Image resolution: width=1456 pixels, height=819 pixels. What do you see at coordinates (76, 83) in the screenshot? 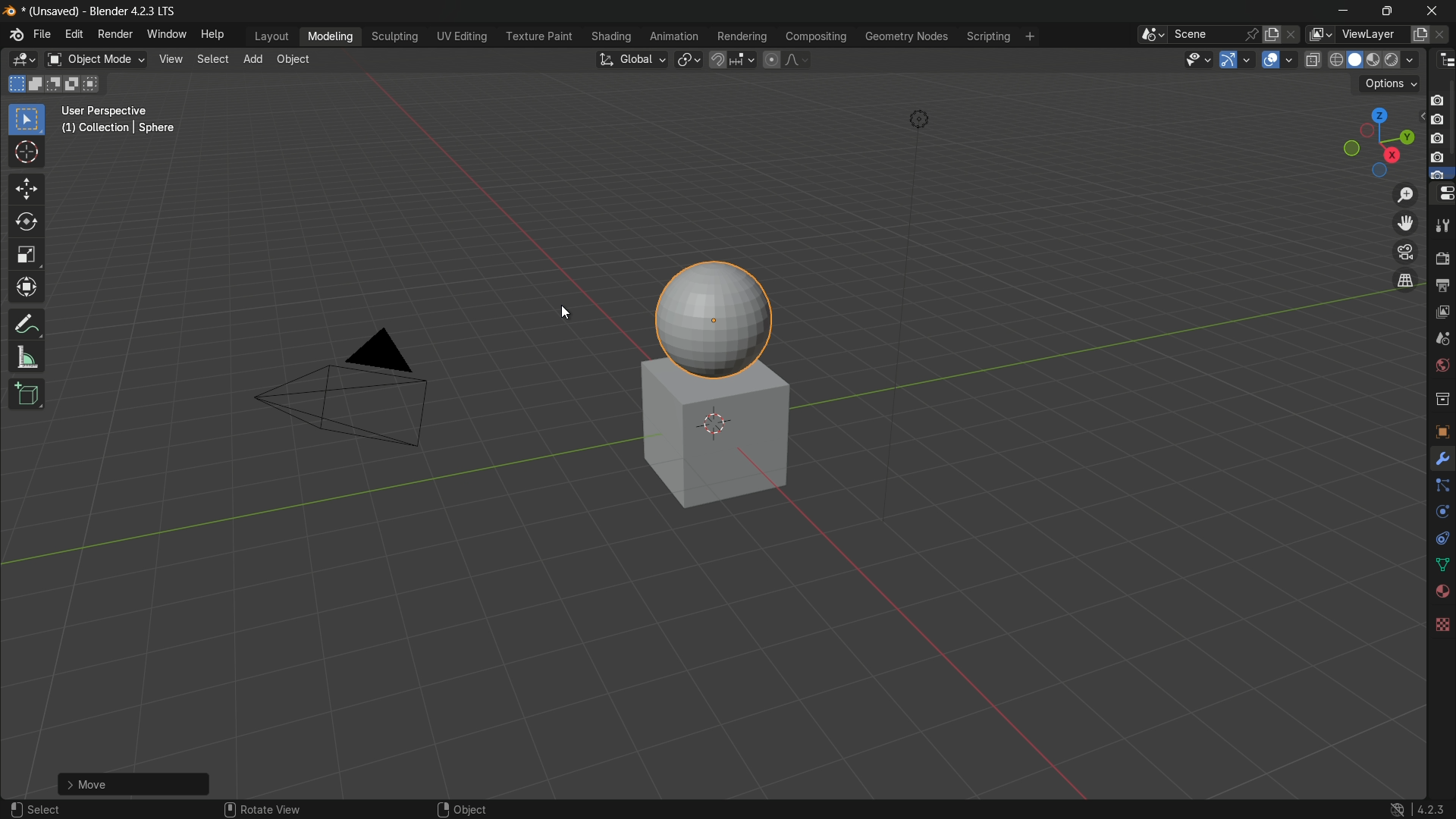
I see `invert existing selection` at bounding box center [76, 83].